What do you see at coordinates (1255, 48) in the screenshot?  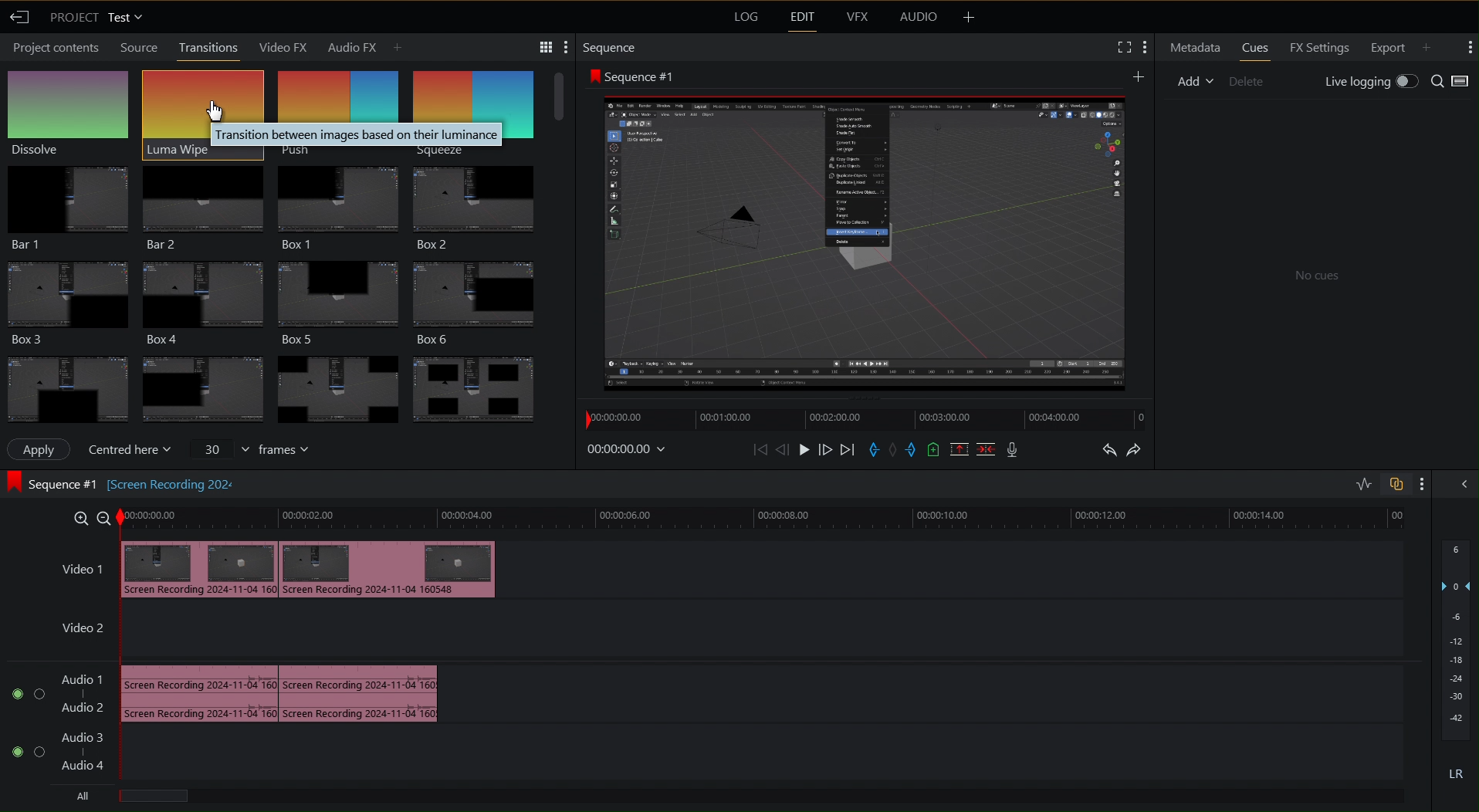 I see `Cues` at bounding box center [1255, 48].